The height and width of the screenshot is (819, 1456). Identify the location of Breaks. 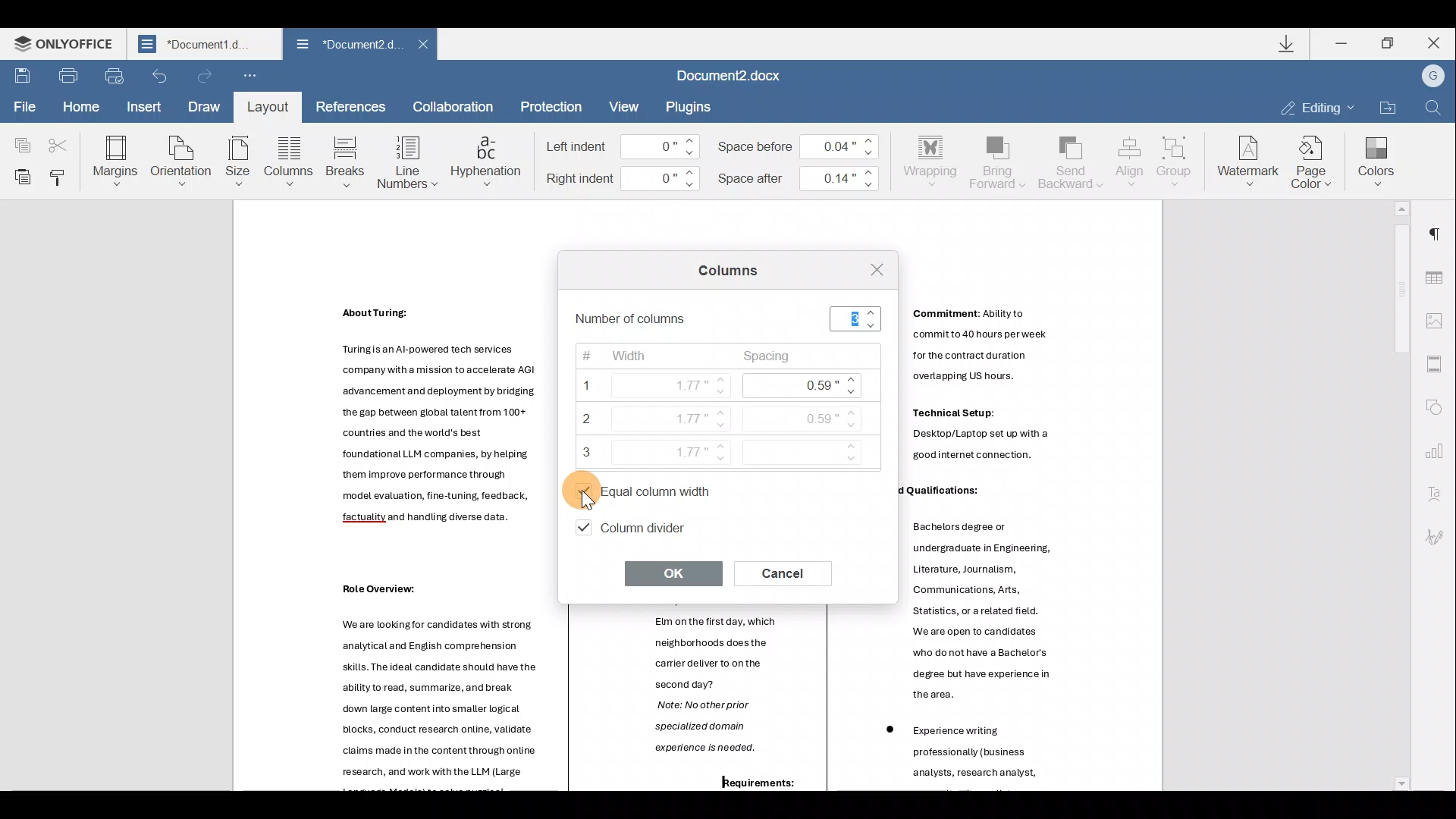
(344, 162).